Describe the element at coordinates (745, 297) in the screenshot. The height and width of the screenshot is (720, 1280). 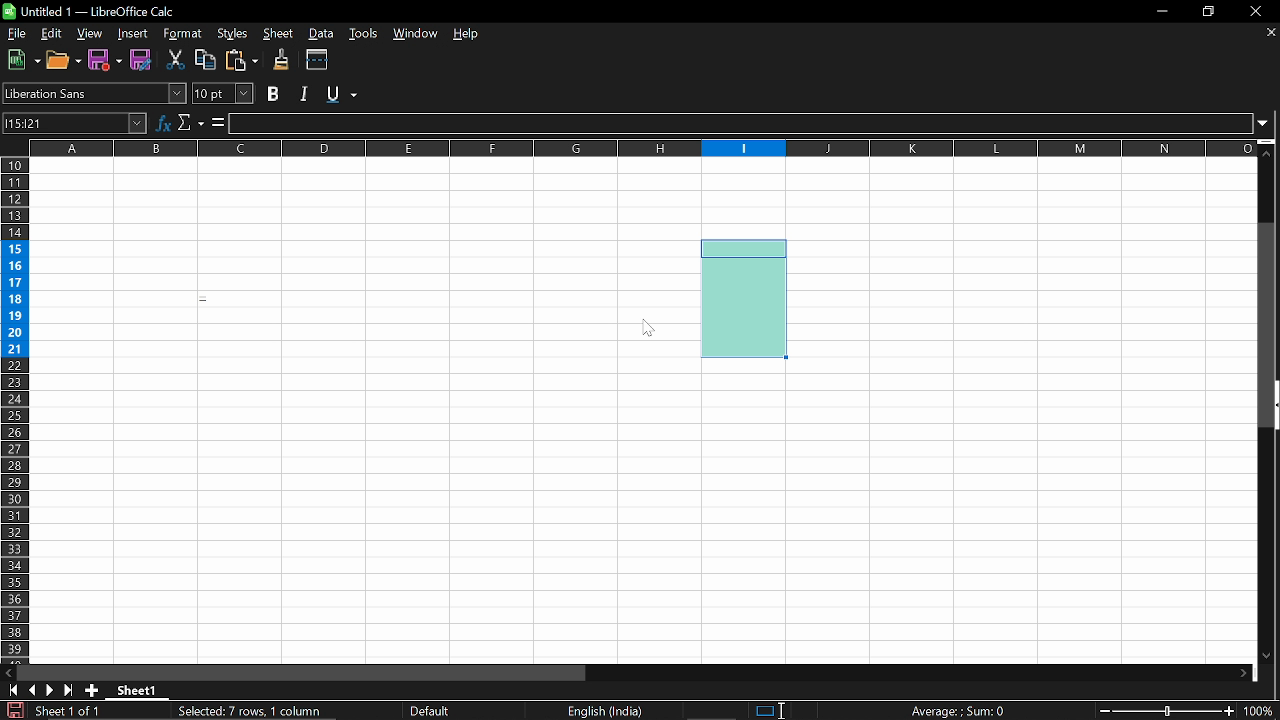
I see `Selected cells` at that location.